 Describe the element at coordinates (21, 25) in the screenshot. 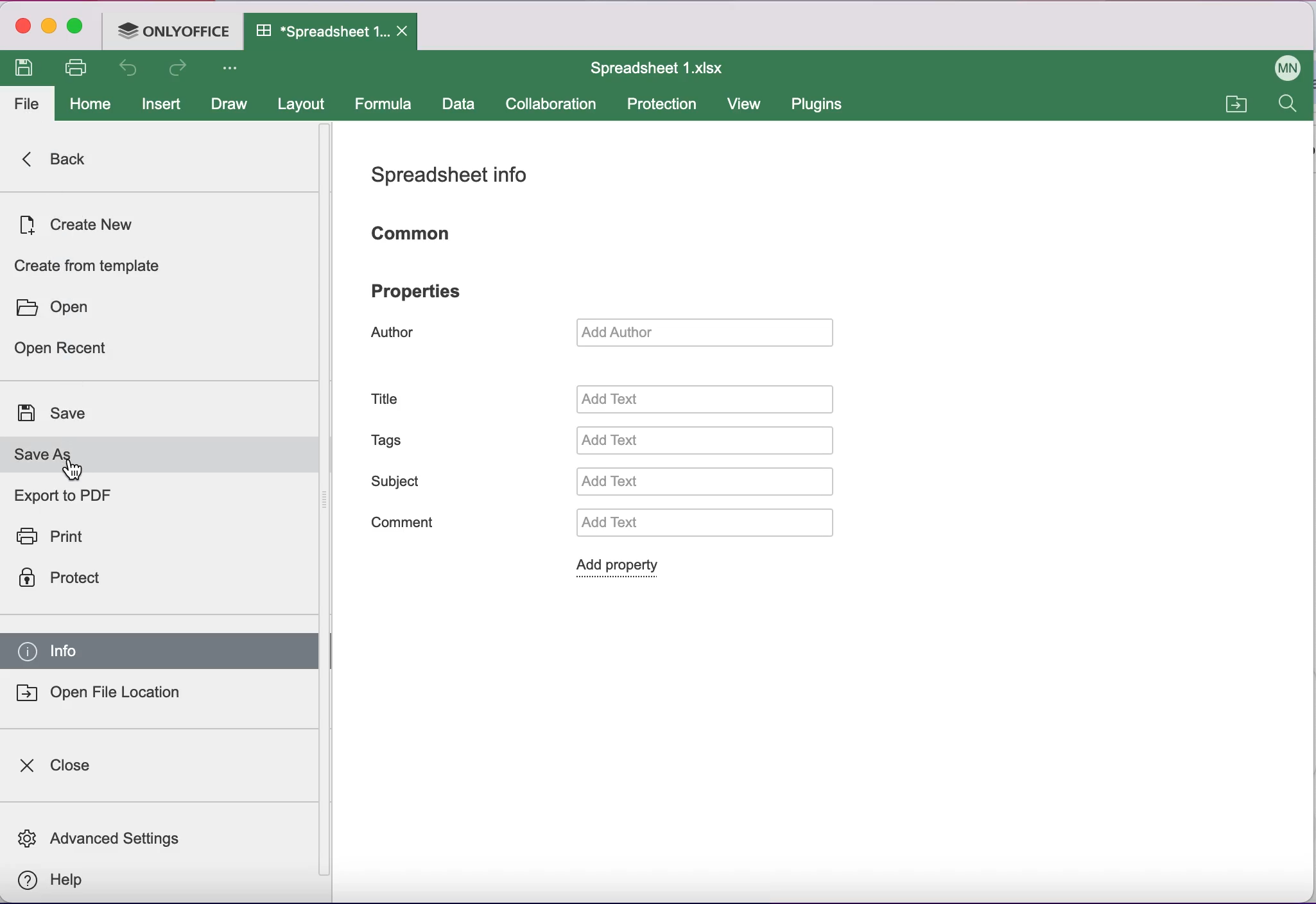

I see `close` at that location.